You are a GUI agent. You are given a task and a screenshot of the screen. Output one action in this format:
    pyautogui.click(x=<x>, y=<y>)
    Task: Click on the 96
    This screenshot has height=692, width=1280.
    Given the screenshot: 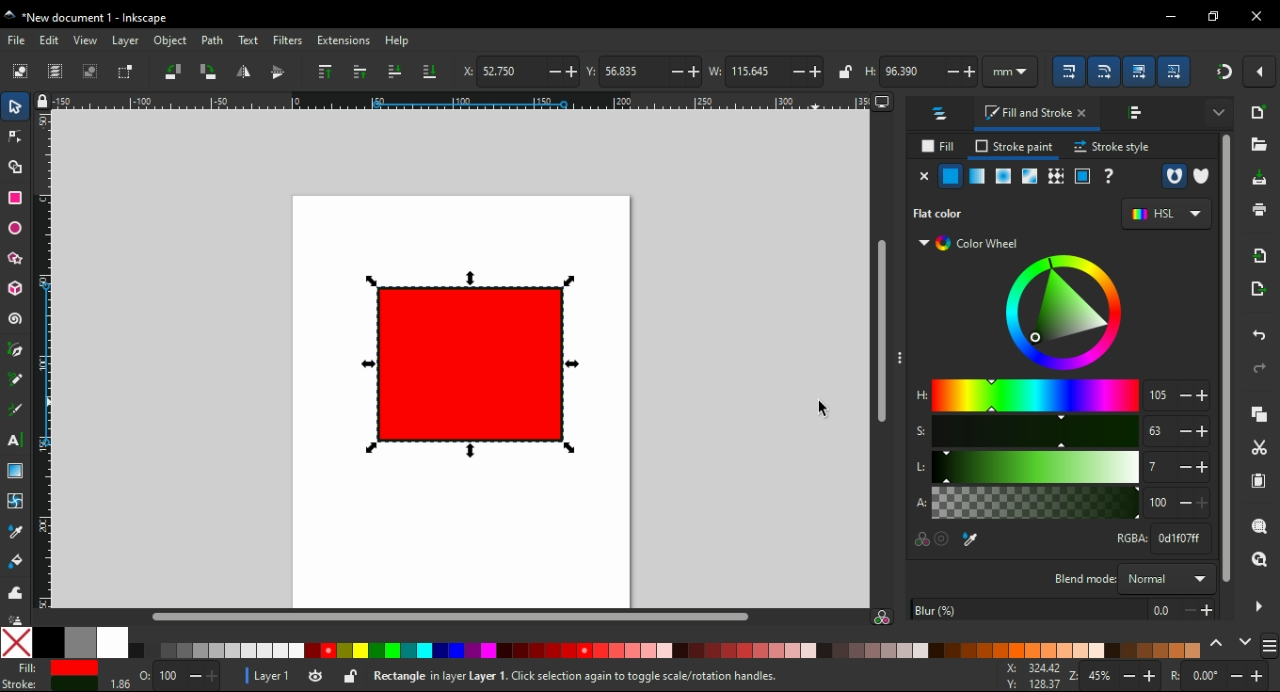 What is the action you would take?
    pyautogui.click(x=912, y=71)
    